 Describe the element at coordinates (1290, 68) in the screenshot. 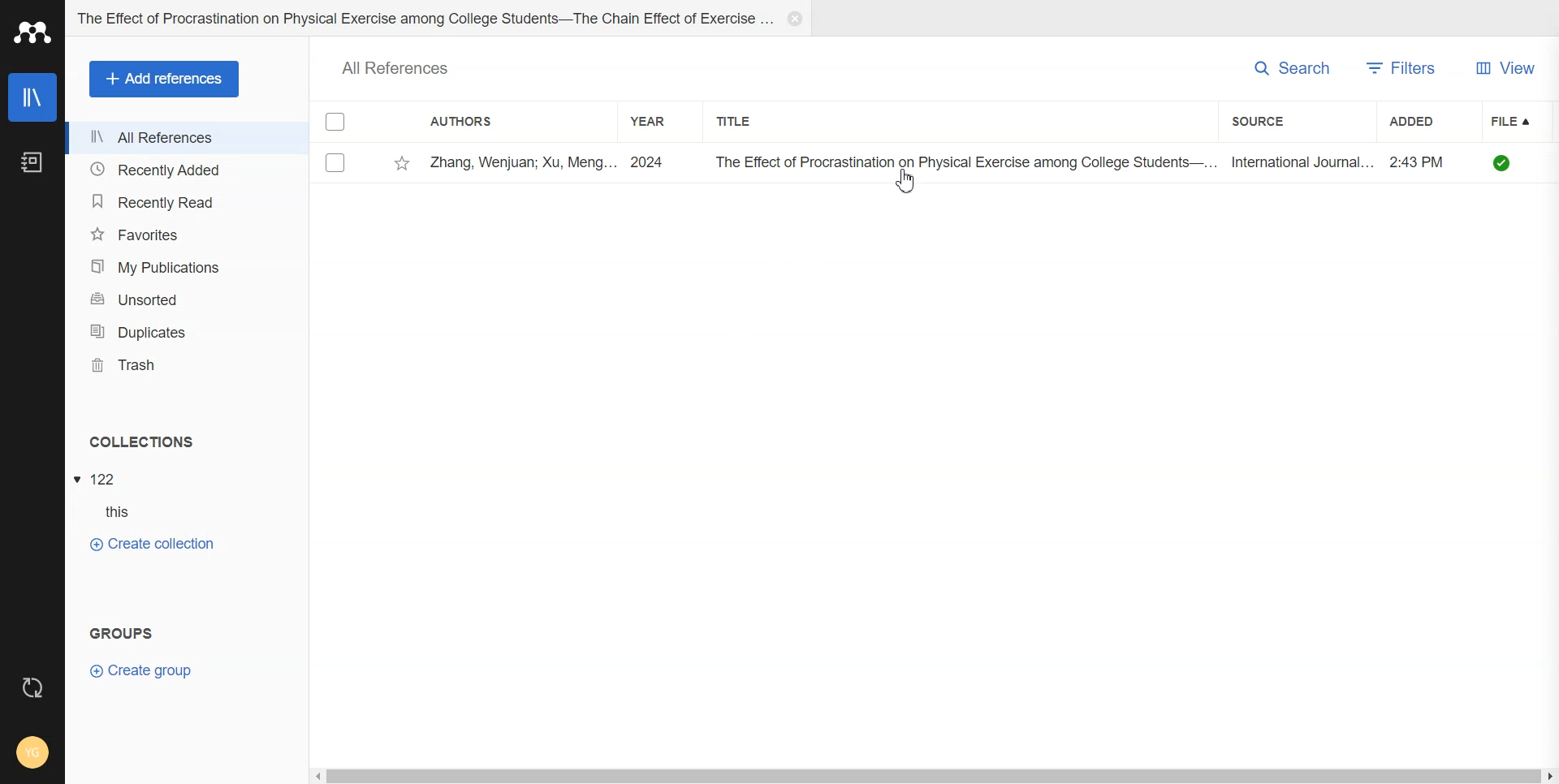

I see `Search` at that location.